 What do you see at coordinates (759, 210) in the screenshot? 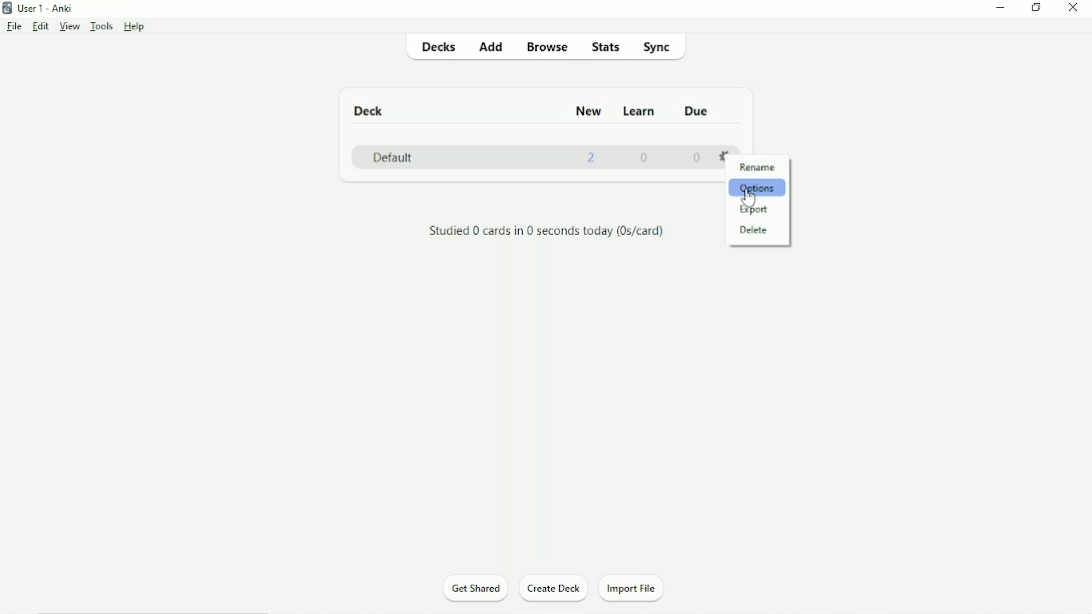
I see `Export` at bounding box center [759, 210].